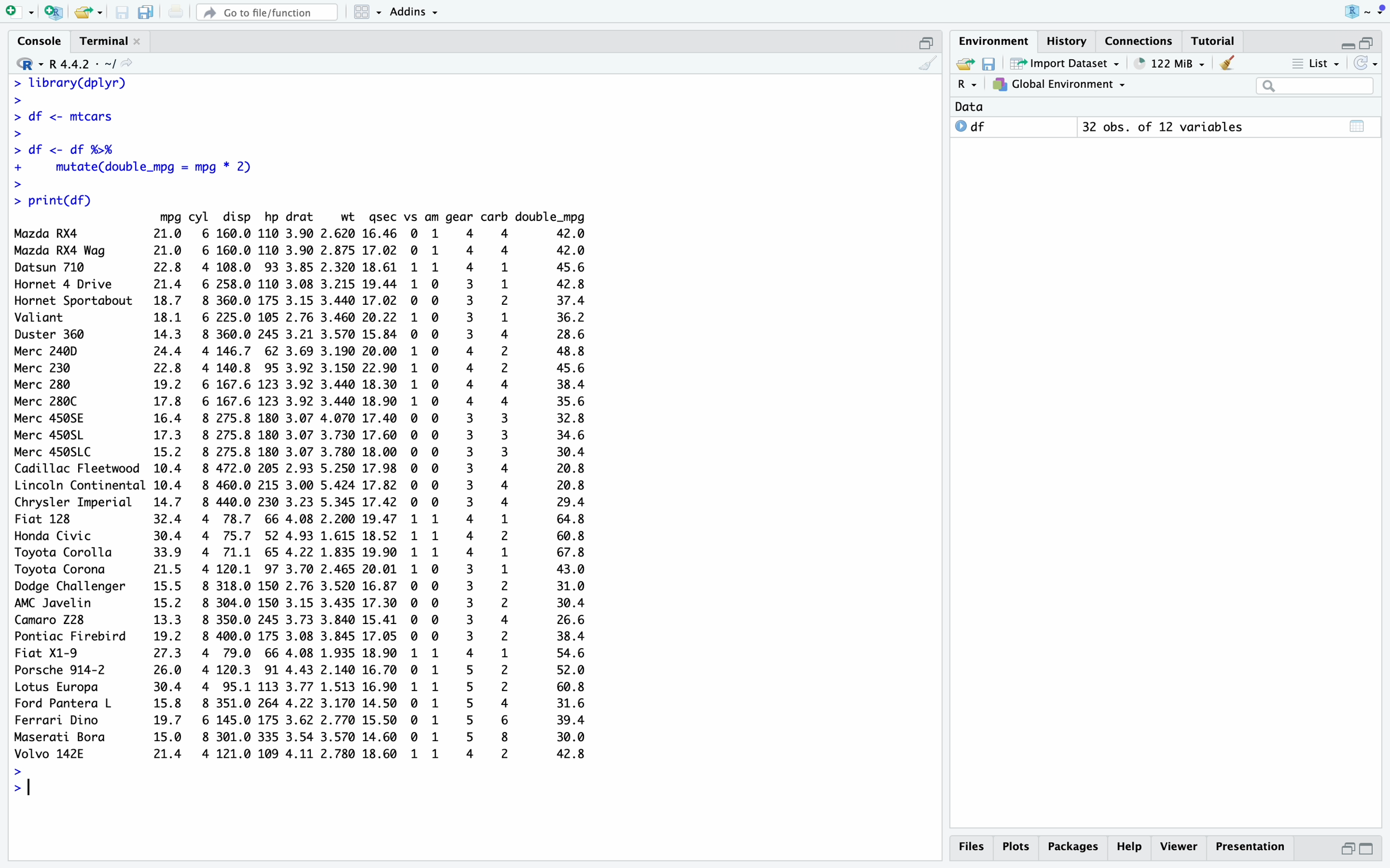 Image resolution: width=1390 pixels, height=868 pixels. I want to click on data, so click(969, 107).